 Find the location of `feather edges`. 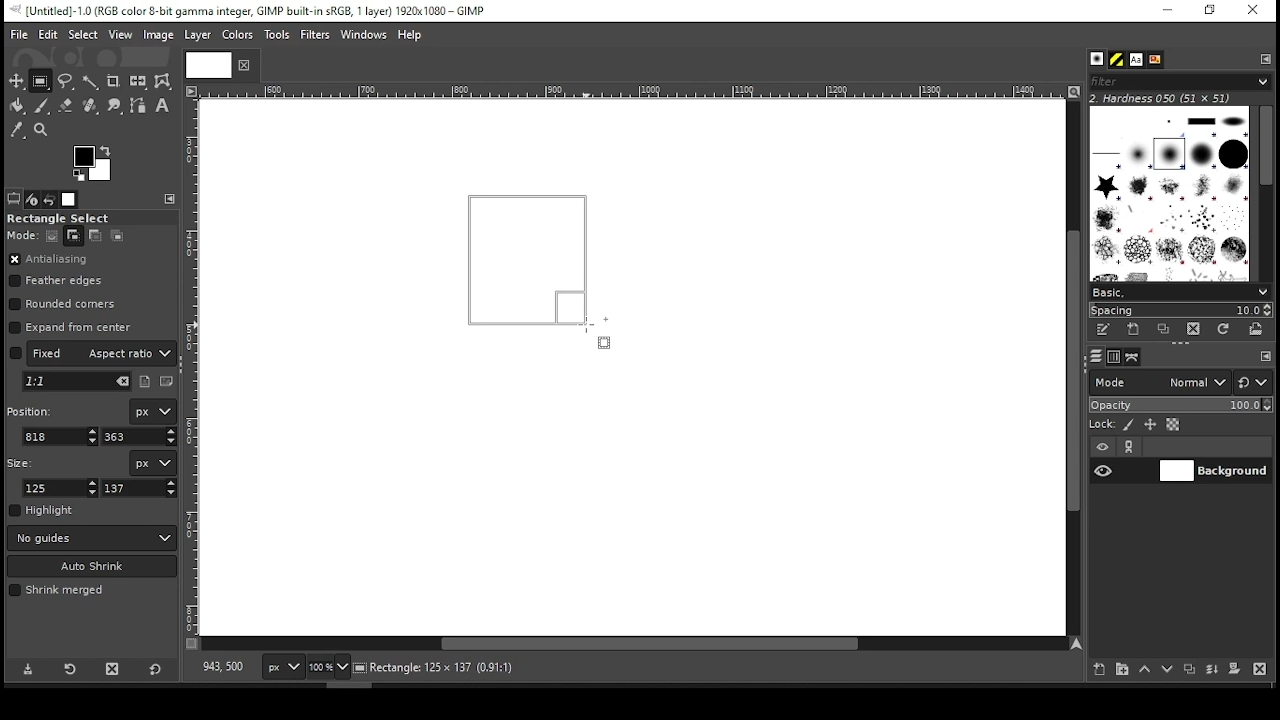

feather edges is located at coordinates (61, 281).